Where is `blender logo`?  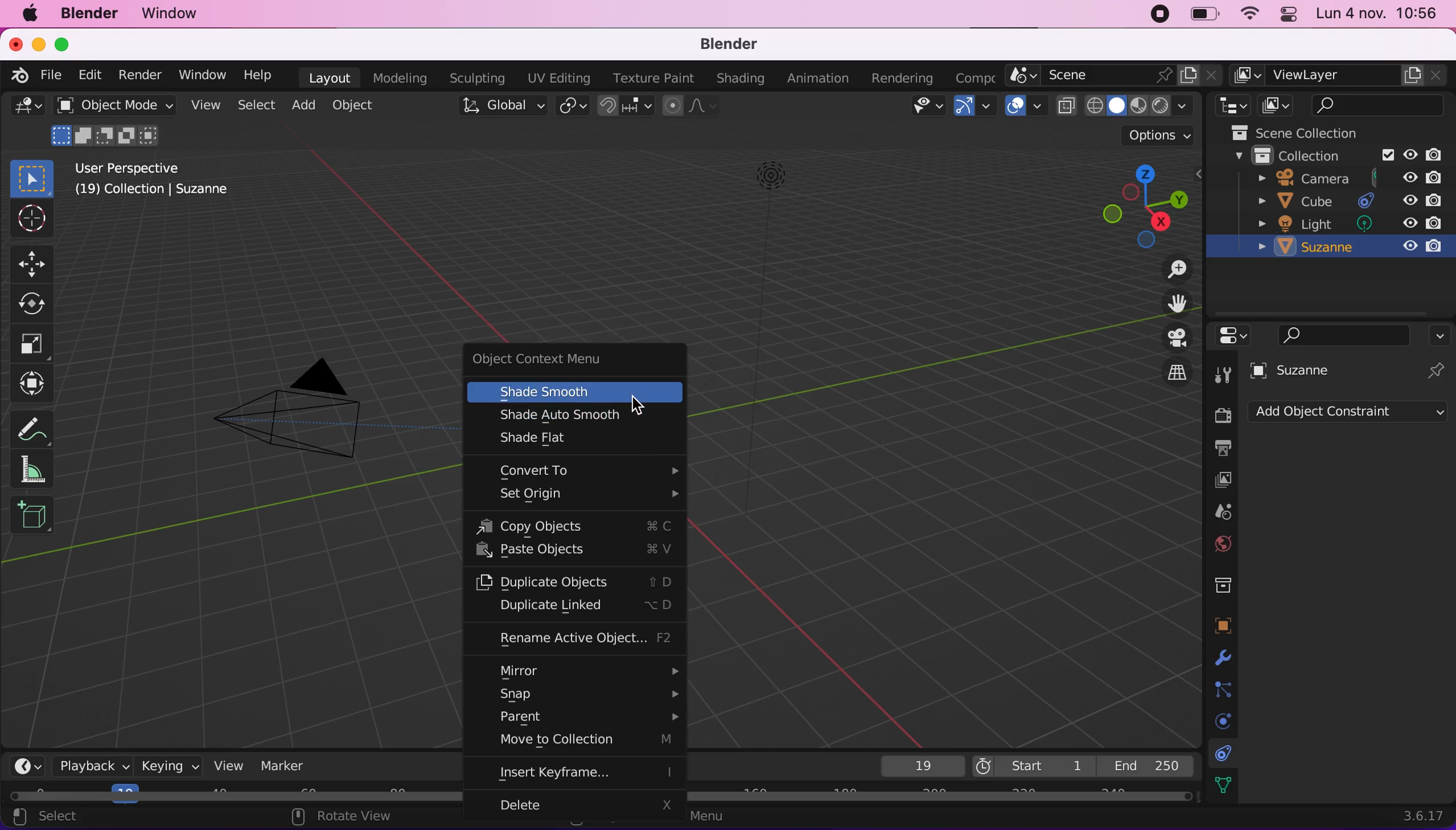 blender logo is located at coordinates (22, 75).